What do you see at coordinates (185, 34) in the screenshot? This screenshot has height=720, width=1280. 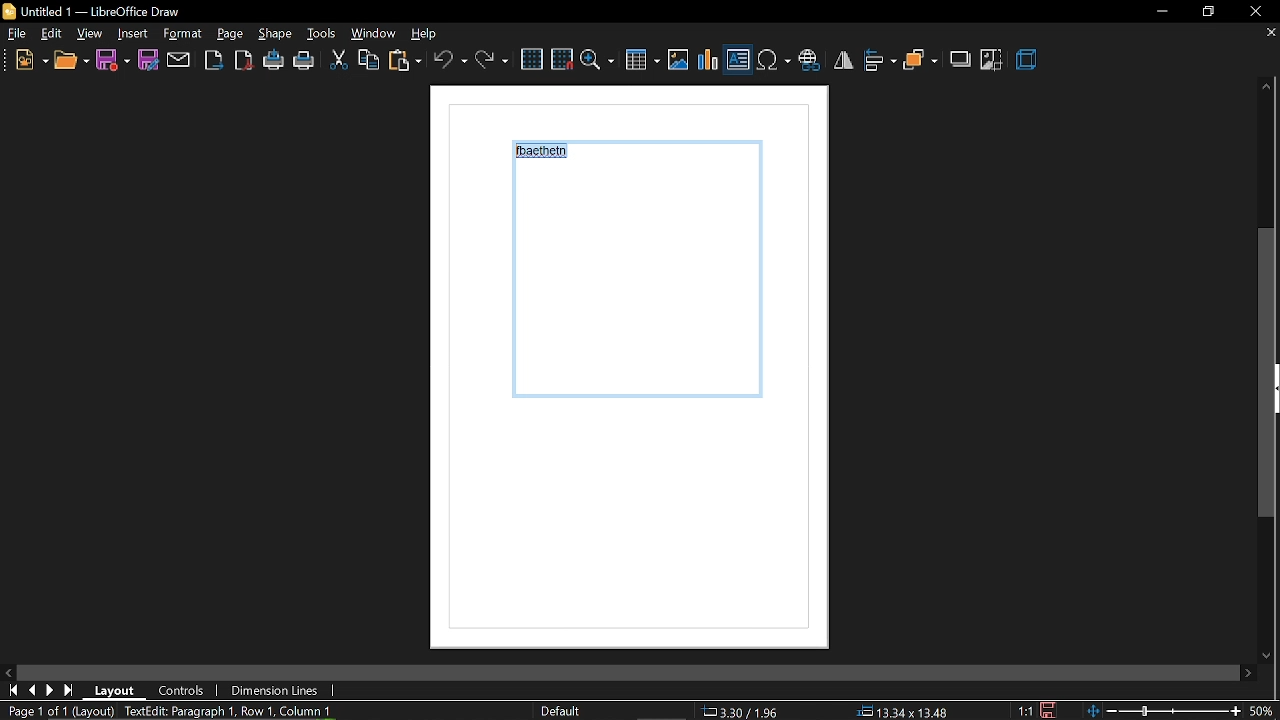 I see `insert` at bounding box center [185, 34].